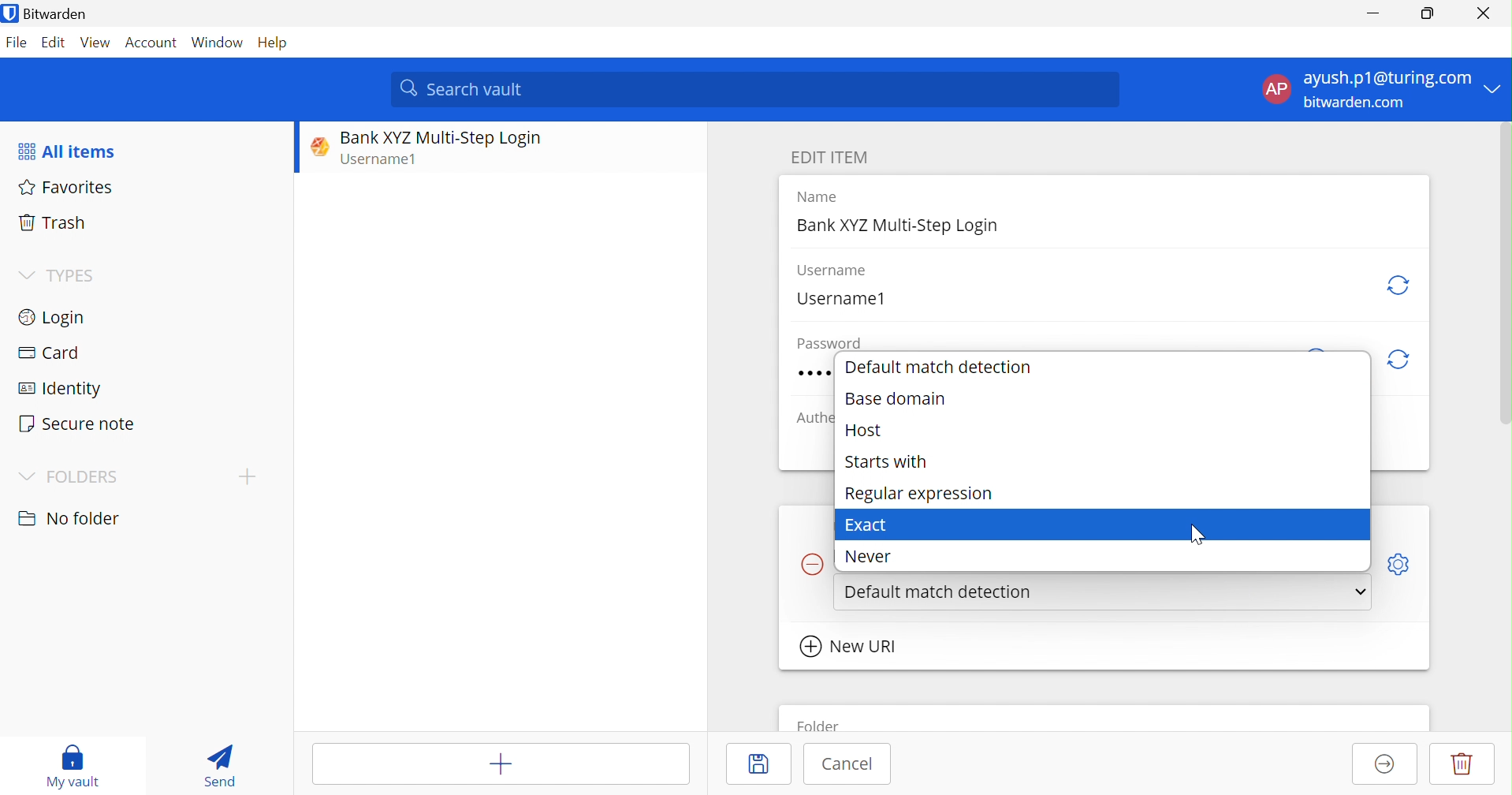 The height and width of the screenshot is (795, 1512). I want to click on Card, so click(48, 352).